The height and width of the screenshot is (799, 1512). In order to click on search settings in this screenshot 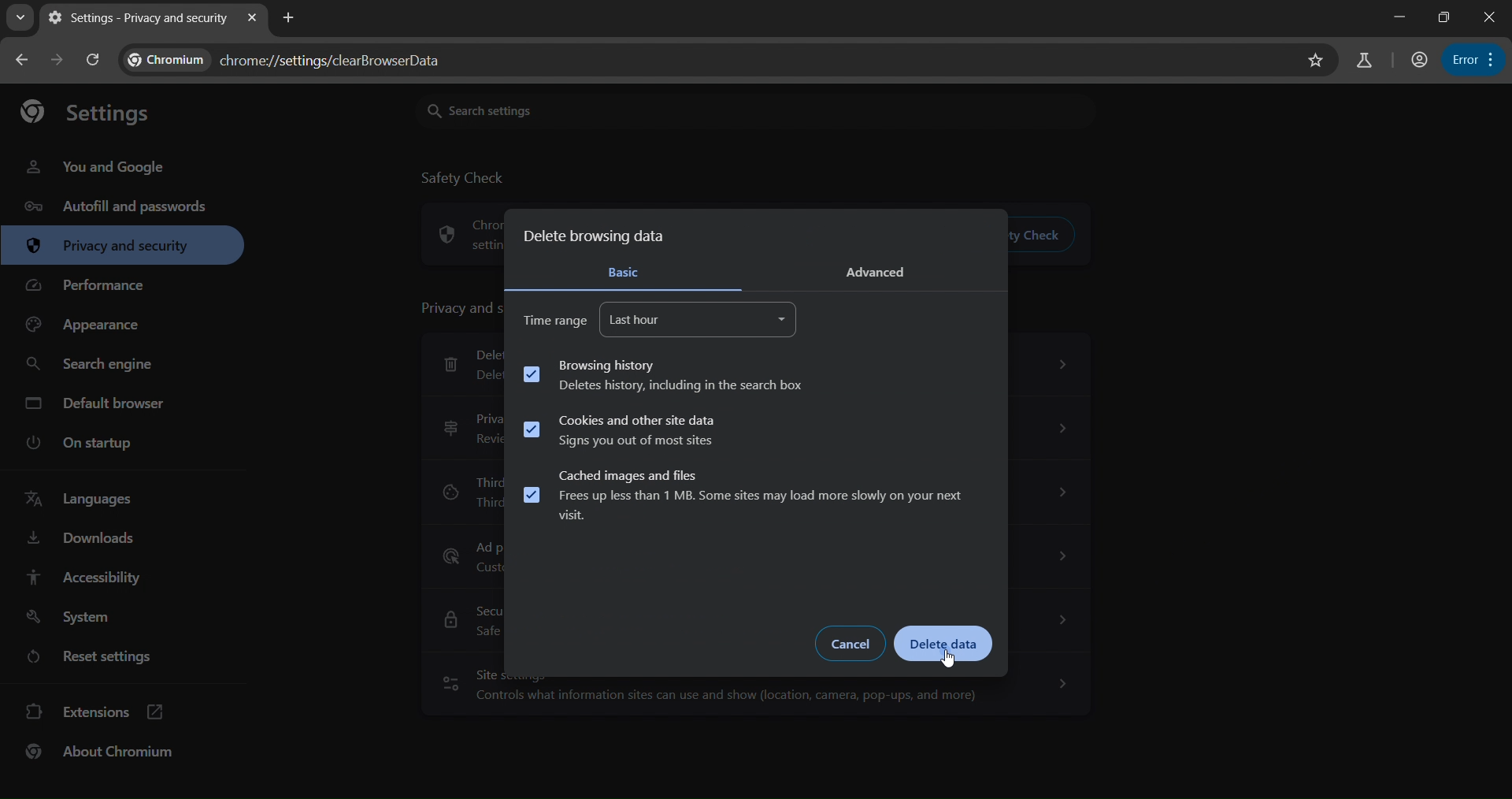, I will do `click(523, 108)`.